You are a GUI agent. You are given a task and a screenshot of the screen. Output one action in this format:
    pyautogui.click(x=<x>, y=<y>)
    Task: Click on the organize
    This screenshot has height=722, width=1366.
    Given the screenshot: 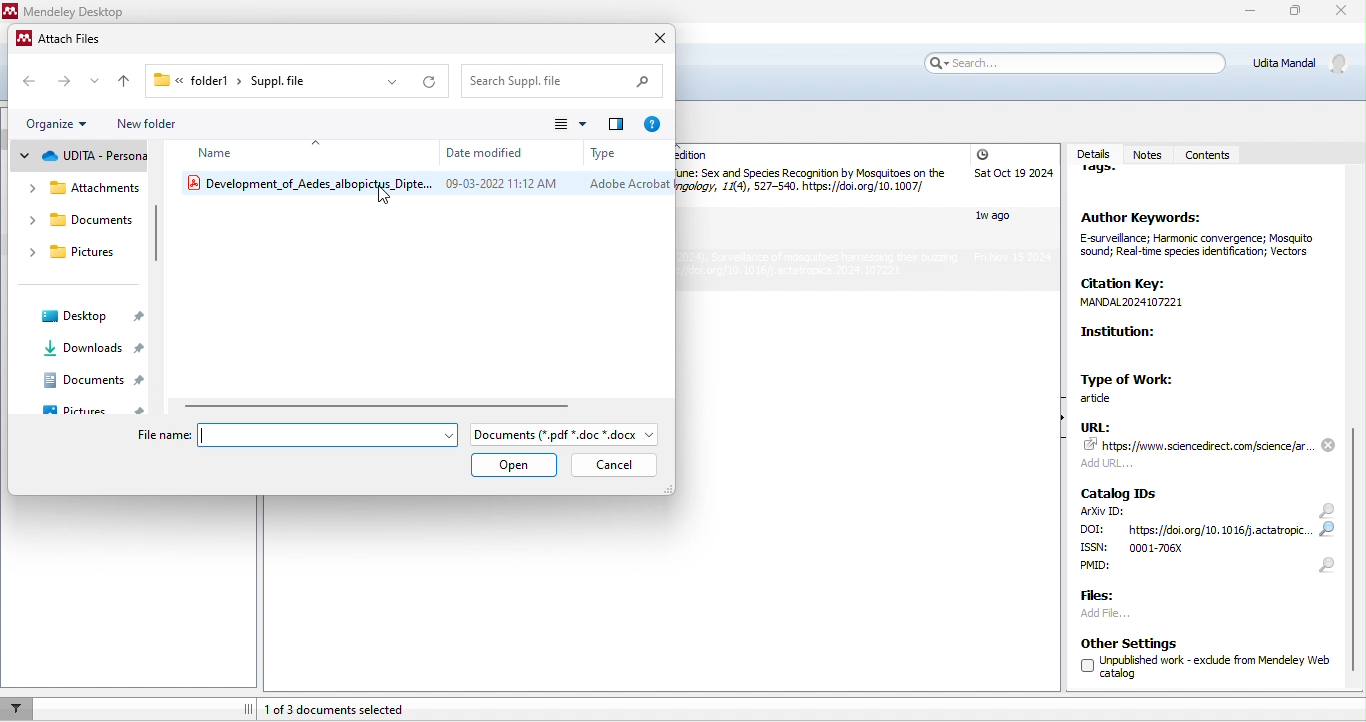 What is the action you would take?
    pyautogui.click(x=61, y=125)
    